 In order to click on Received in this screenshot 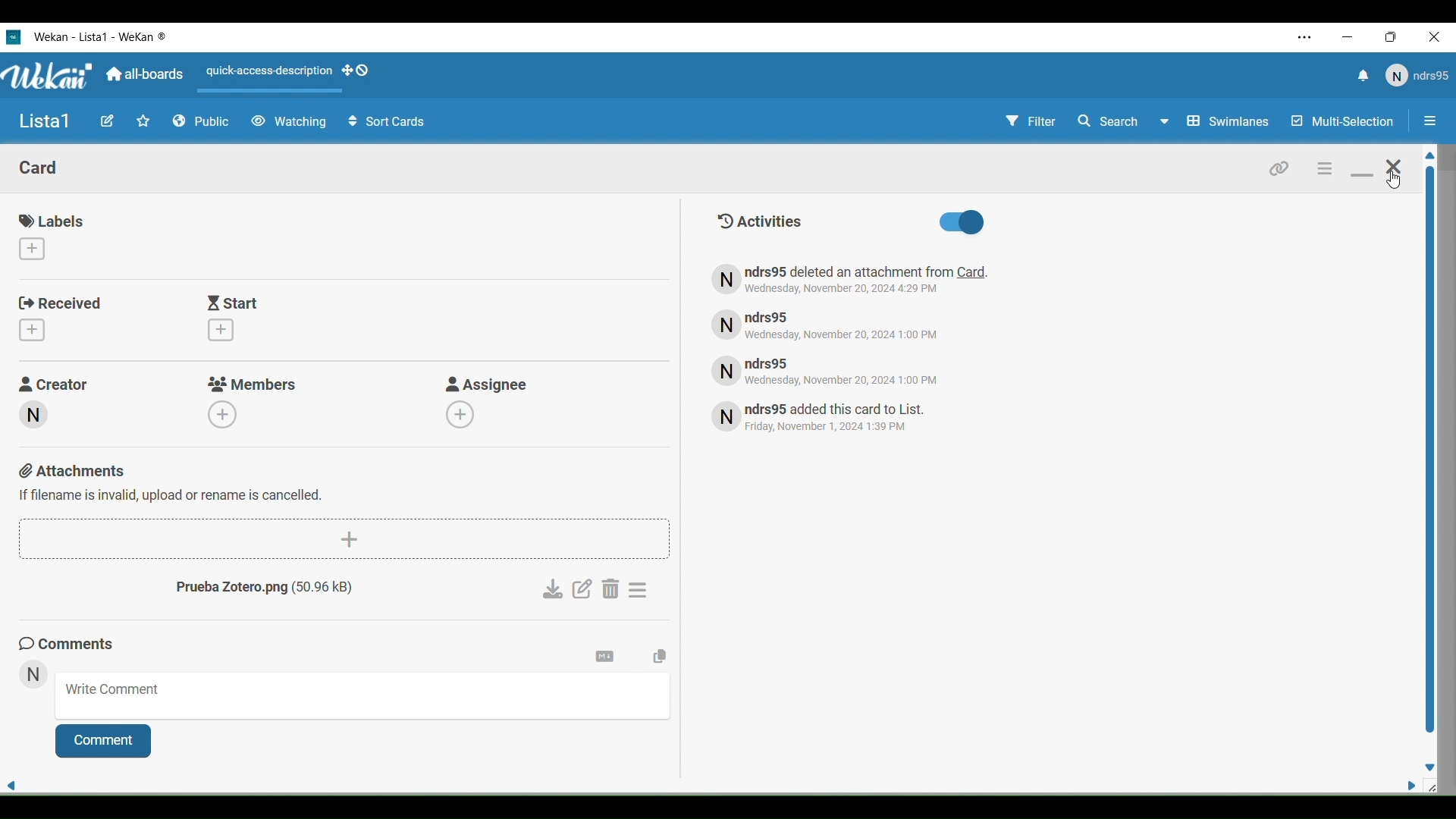, I will do `click(61, 303)`.